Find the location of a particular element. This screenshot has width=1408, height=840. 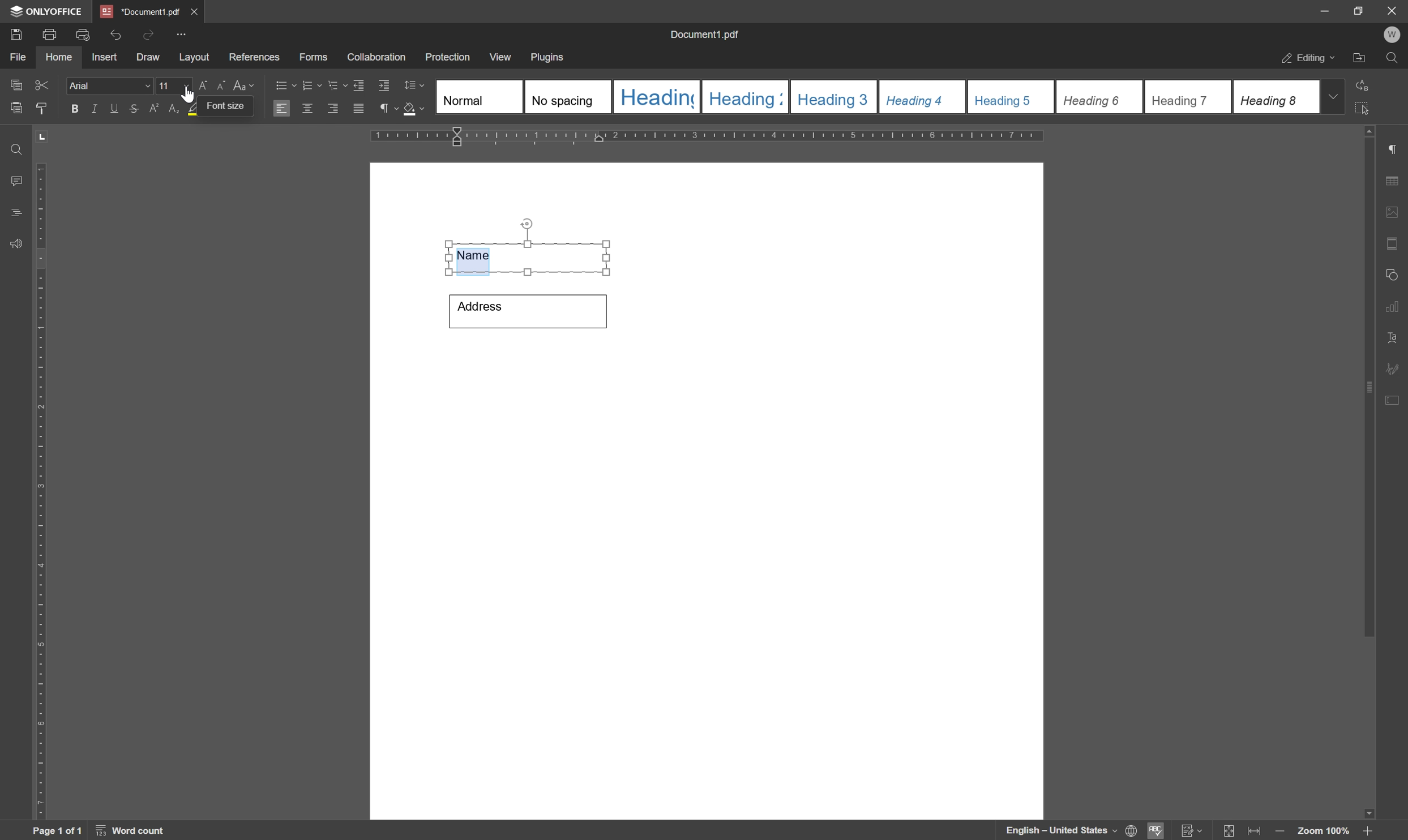

non printing characters is located at coordinates (387, 110).